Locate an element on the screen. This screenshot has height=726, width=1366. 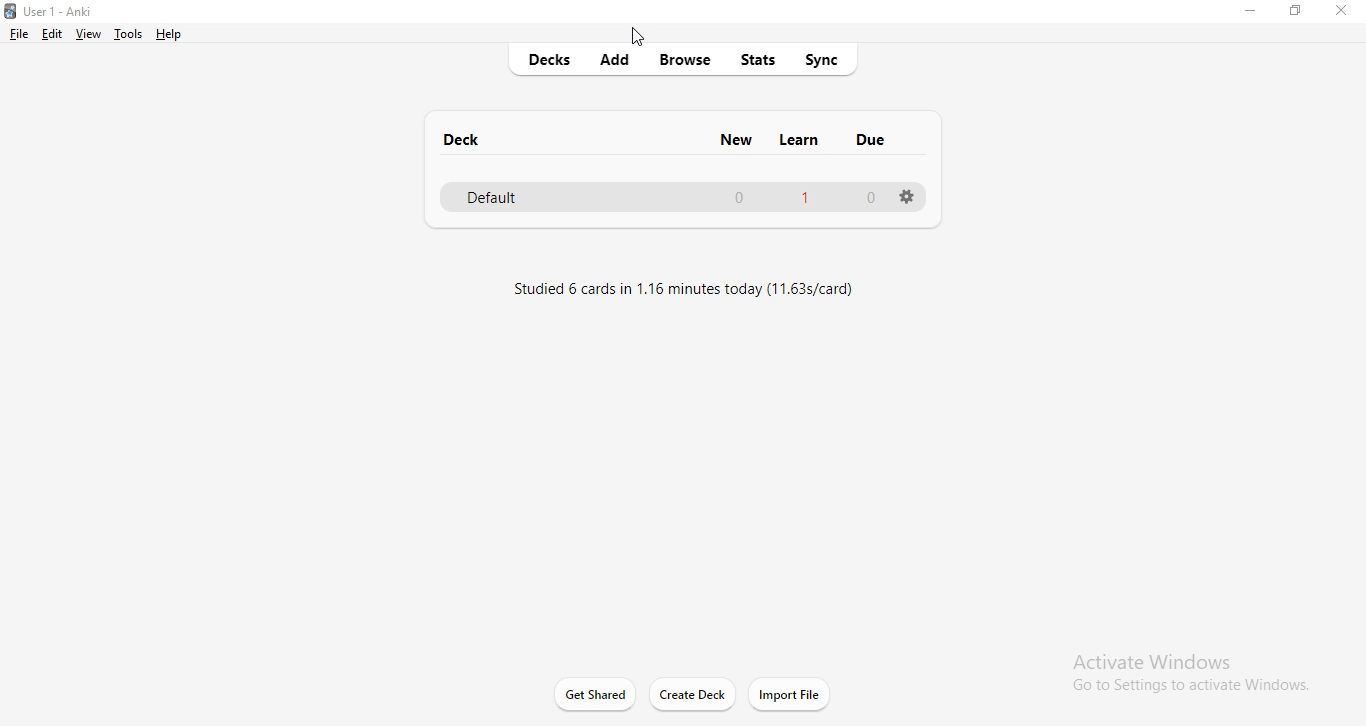
new is located at coordinates (732, 138).